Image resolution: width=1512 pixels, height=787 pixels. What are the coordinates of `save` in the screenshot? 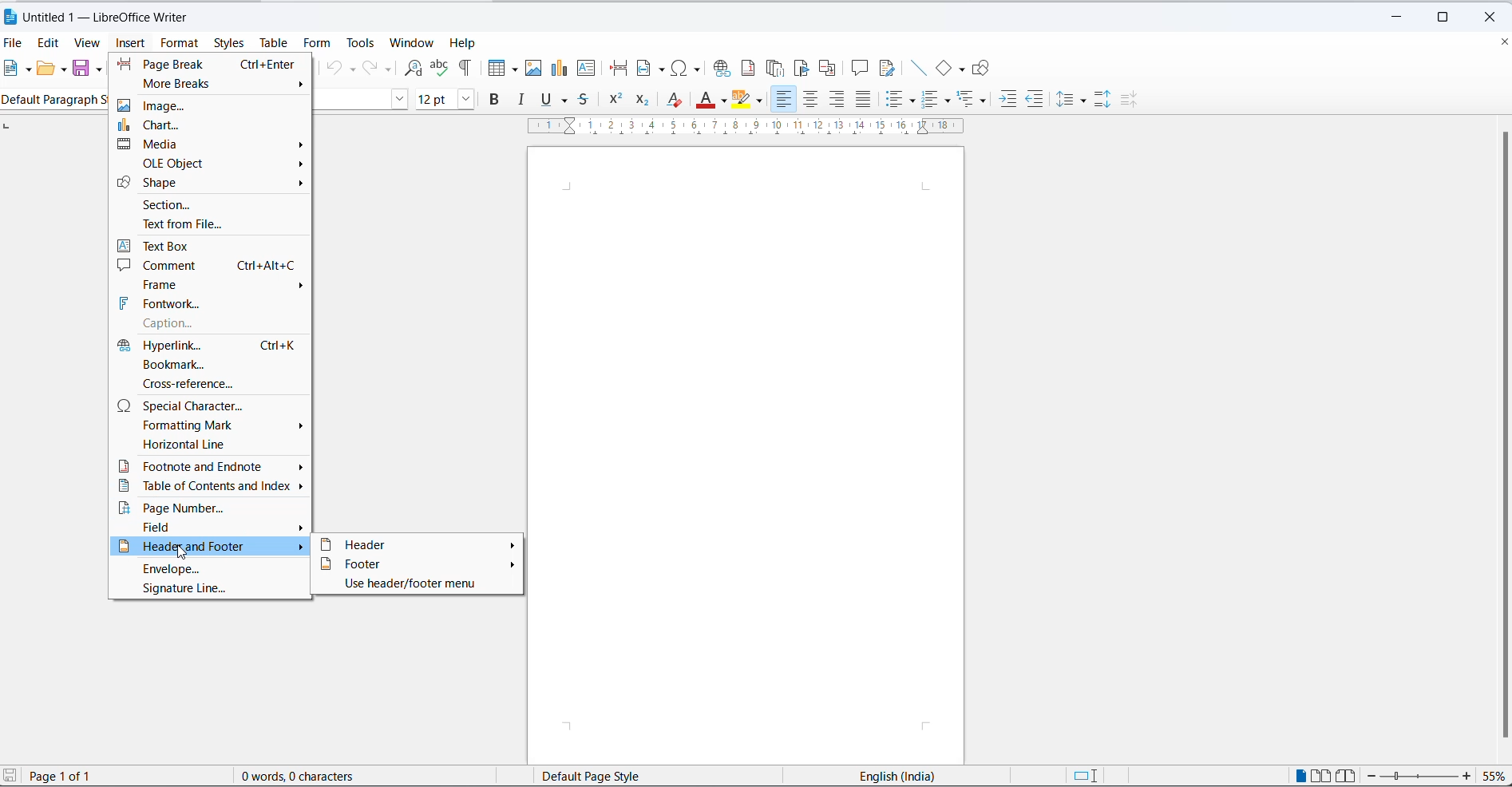 It's located at (10, 774).